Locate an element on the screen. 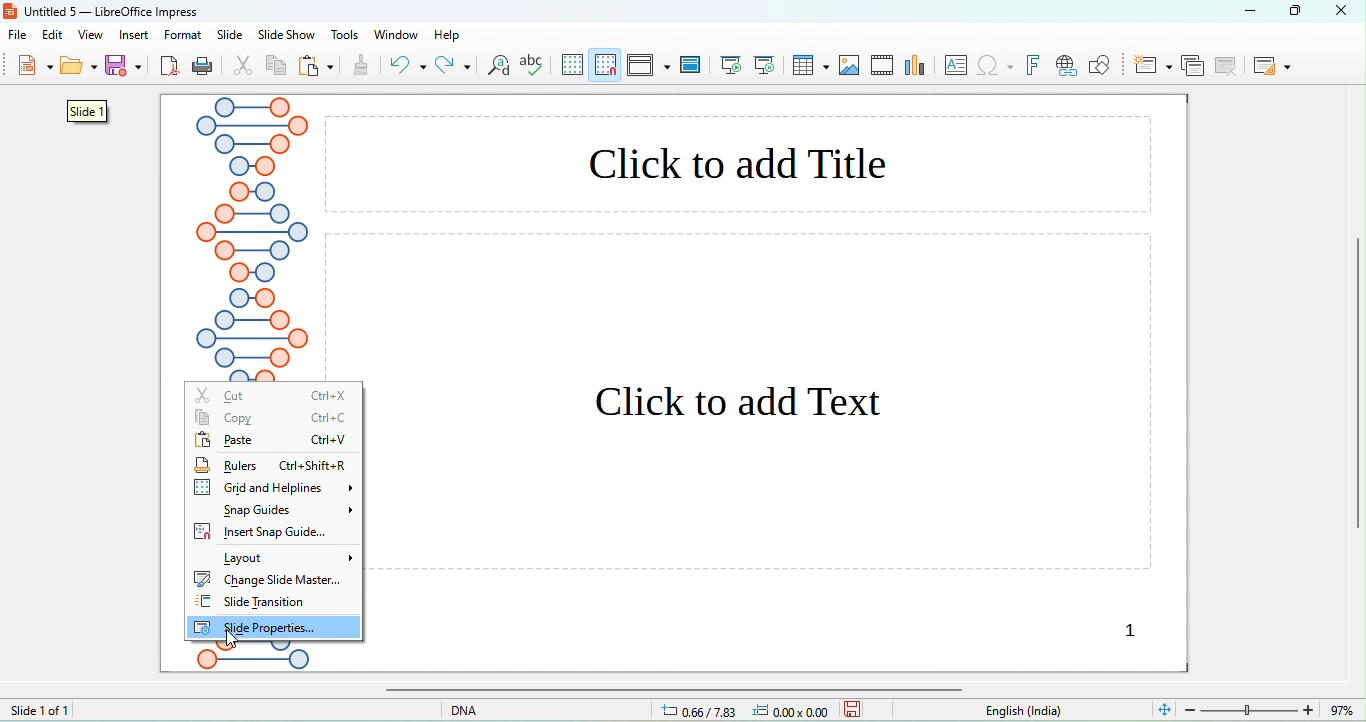 Image resolution: width=1366 pixels, height=722 pixels. duplicate slide is located at coordinates (1192, 65).